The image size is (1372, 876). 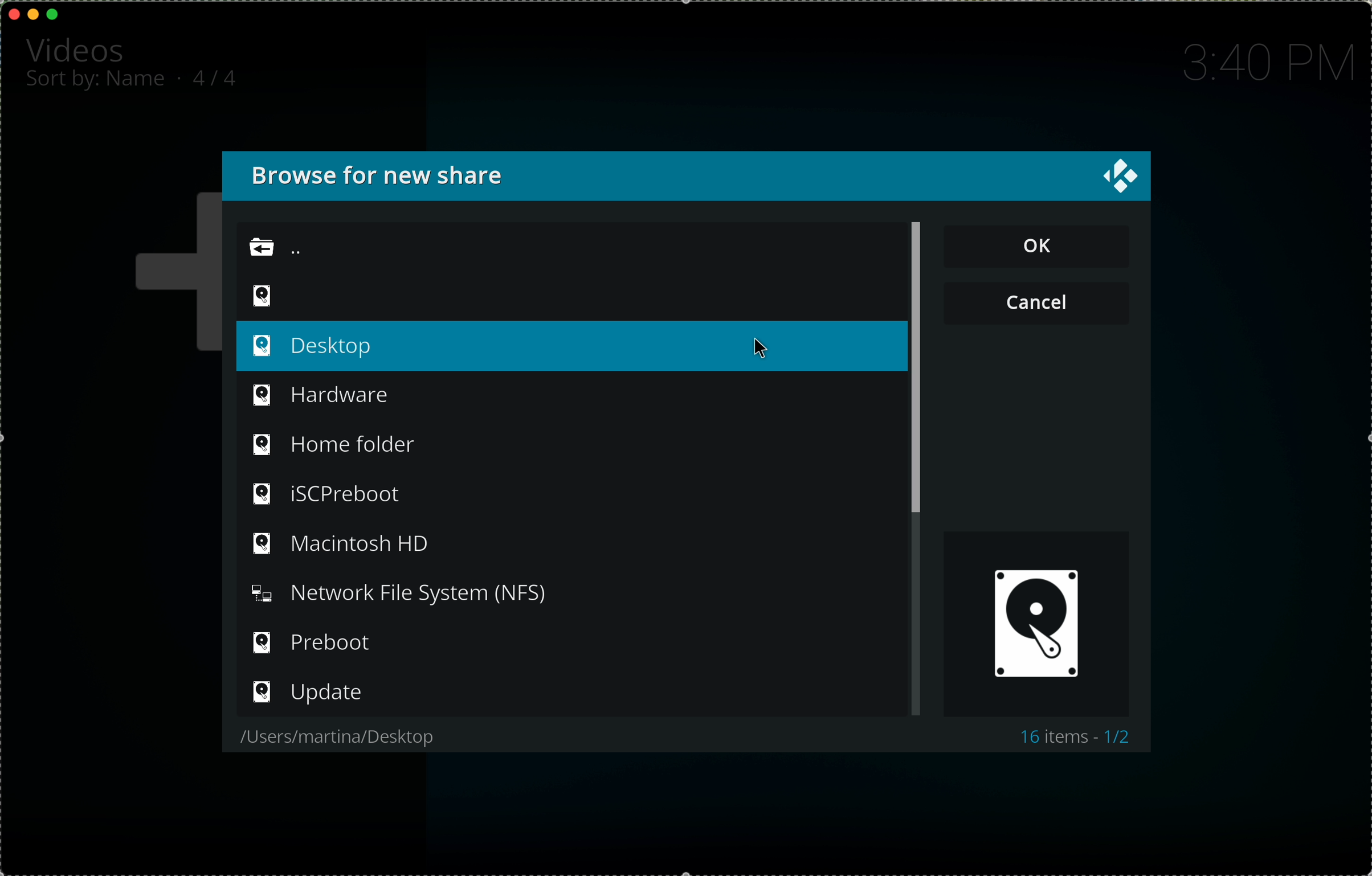 What do you see at coordinates (315, 645) in the screenshot?
I see `preboot` at bounding box center [315, 645].